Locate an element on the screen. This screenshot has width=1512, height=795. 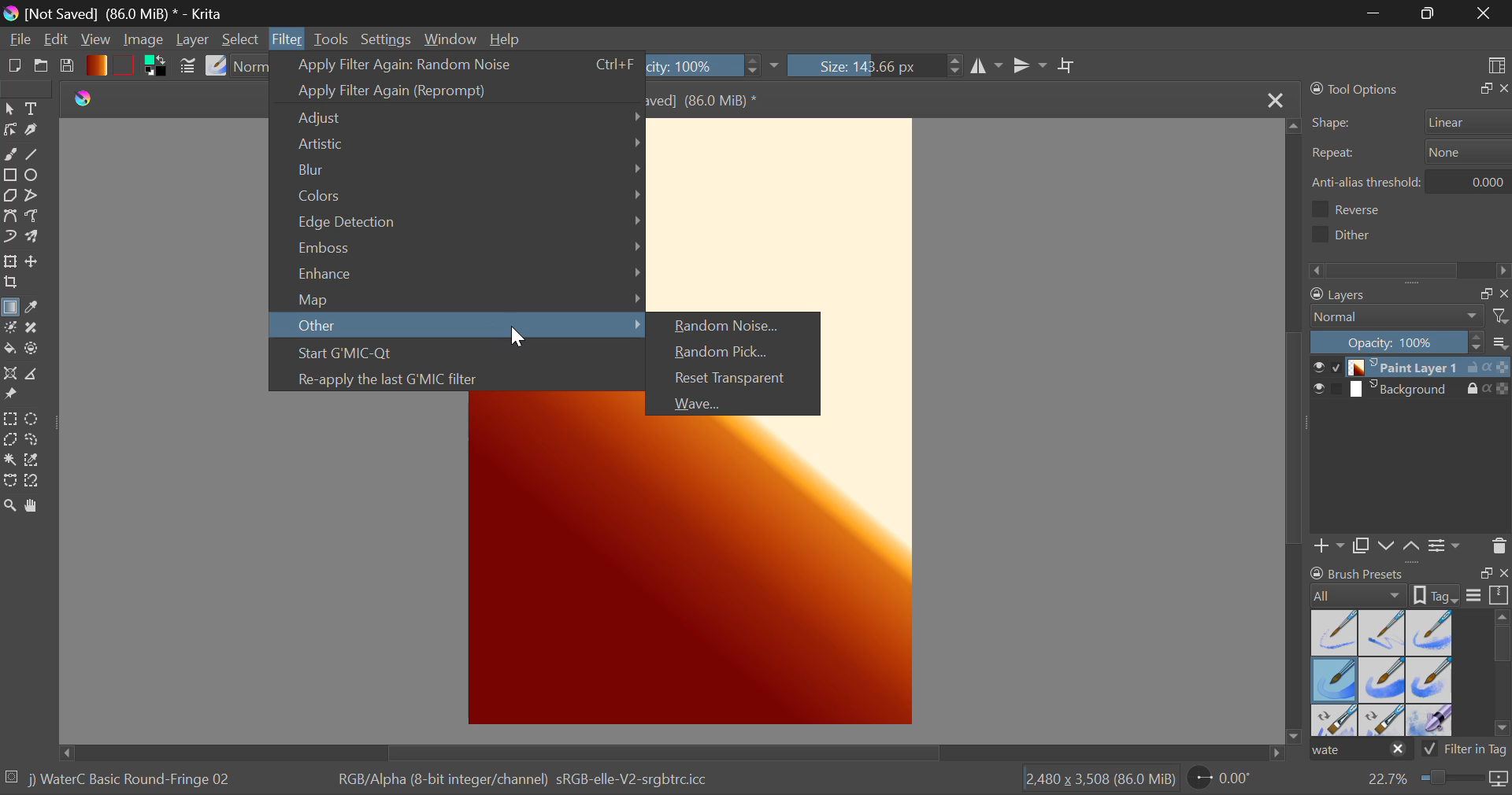
reverse is located at coordinates (1363, 209).